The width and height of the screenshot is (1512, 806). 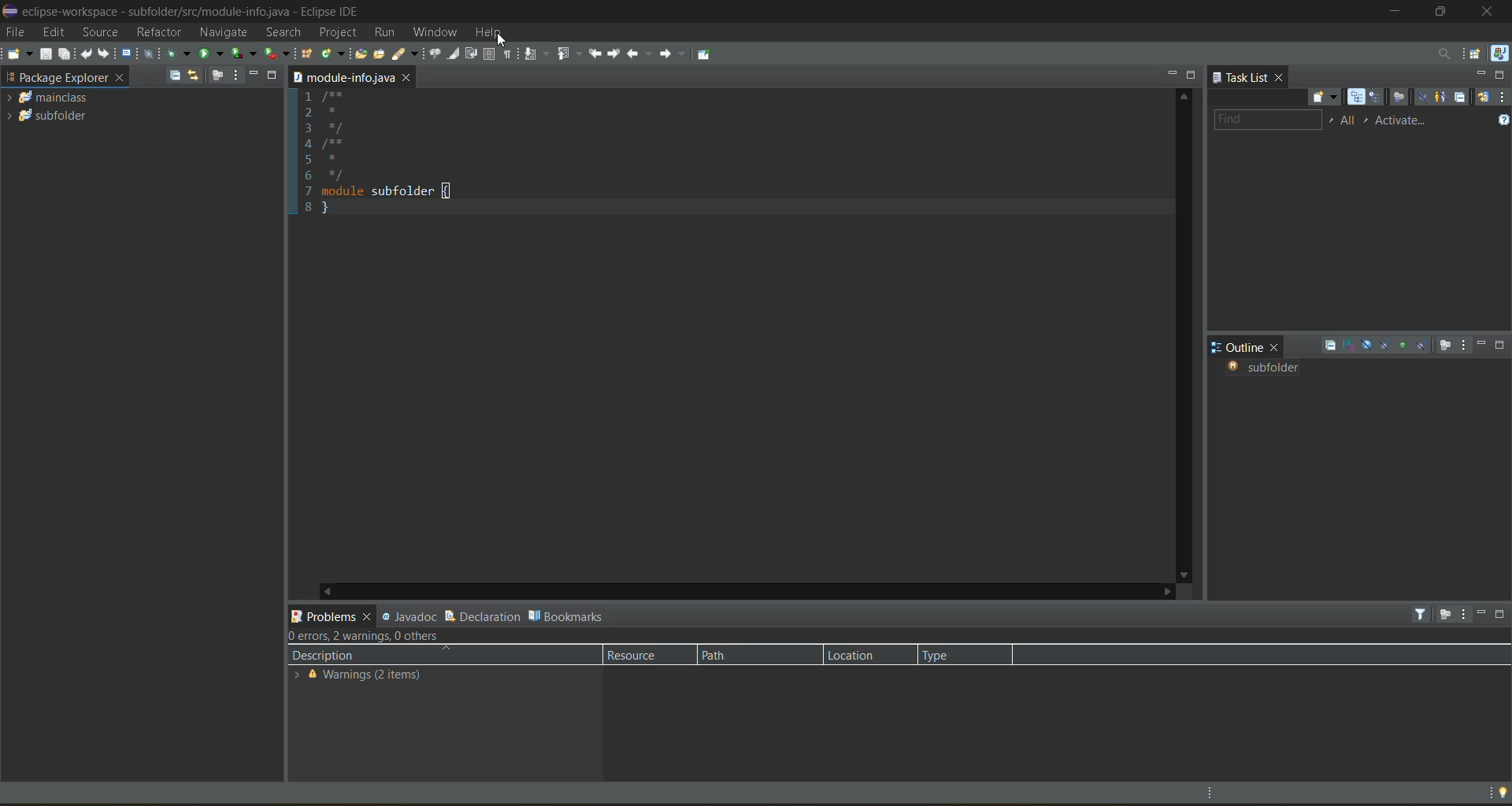 I want to click on , so click(x=366, y=637).